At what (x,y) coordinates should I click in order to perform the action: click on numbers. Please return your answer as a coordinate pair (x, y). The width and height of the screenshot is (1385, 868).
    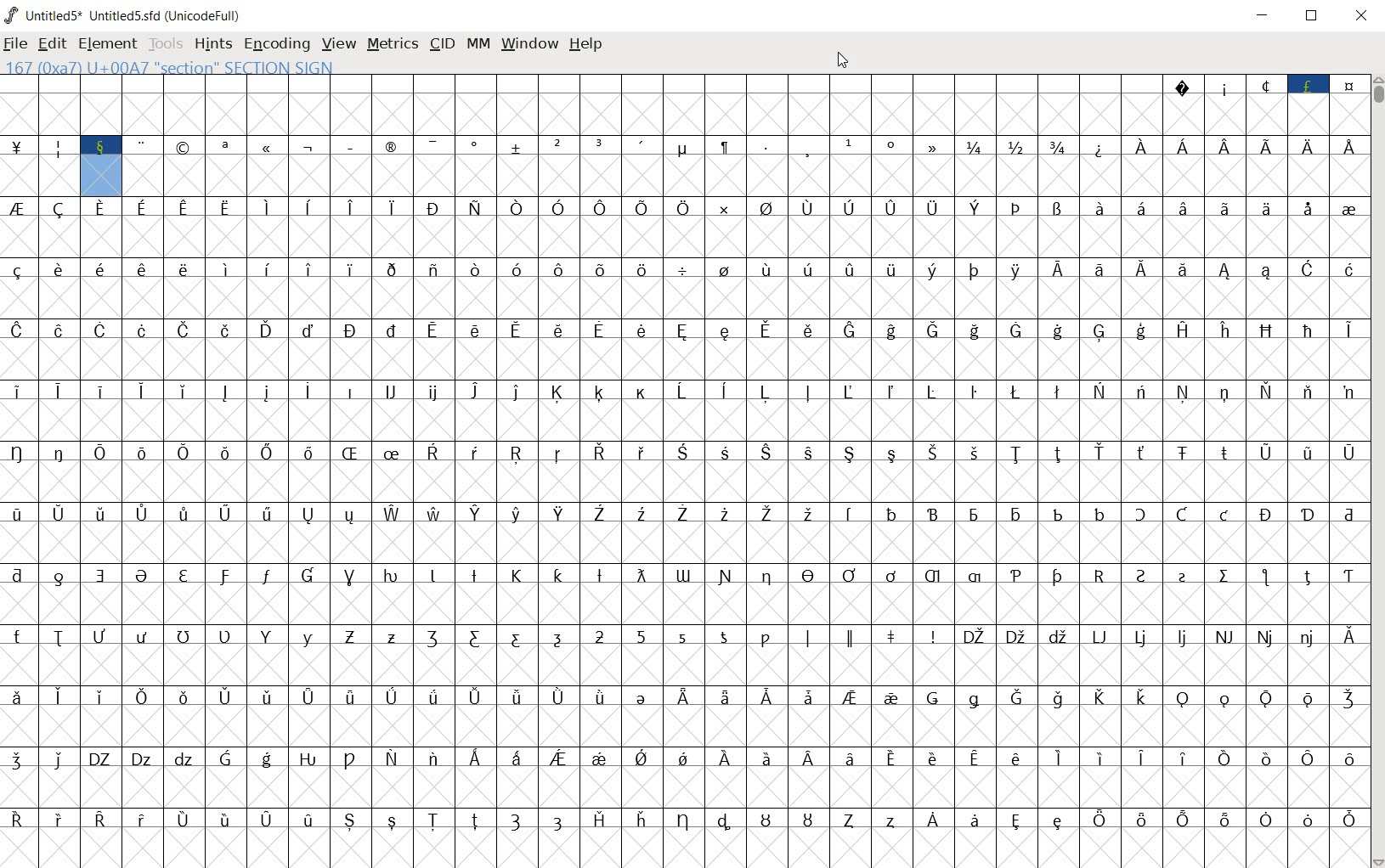
    Looking at the image, I should click on (663, 656).